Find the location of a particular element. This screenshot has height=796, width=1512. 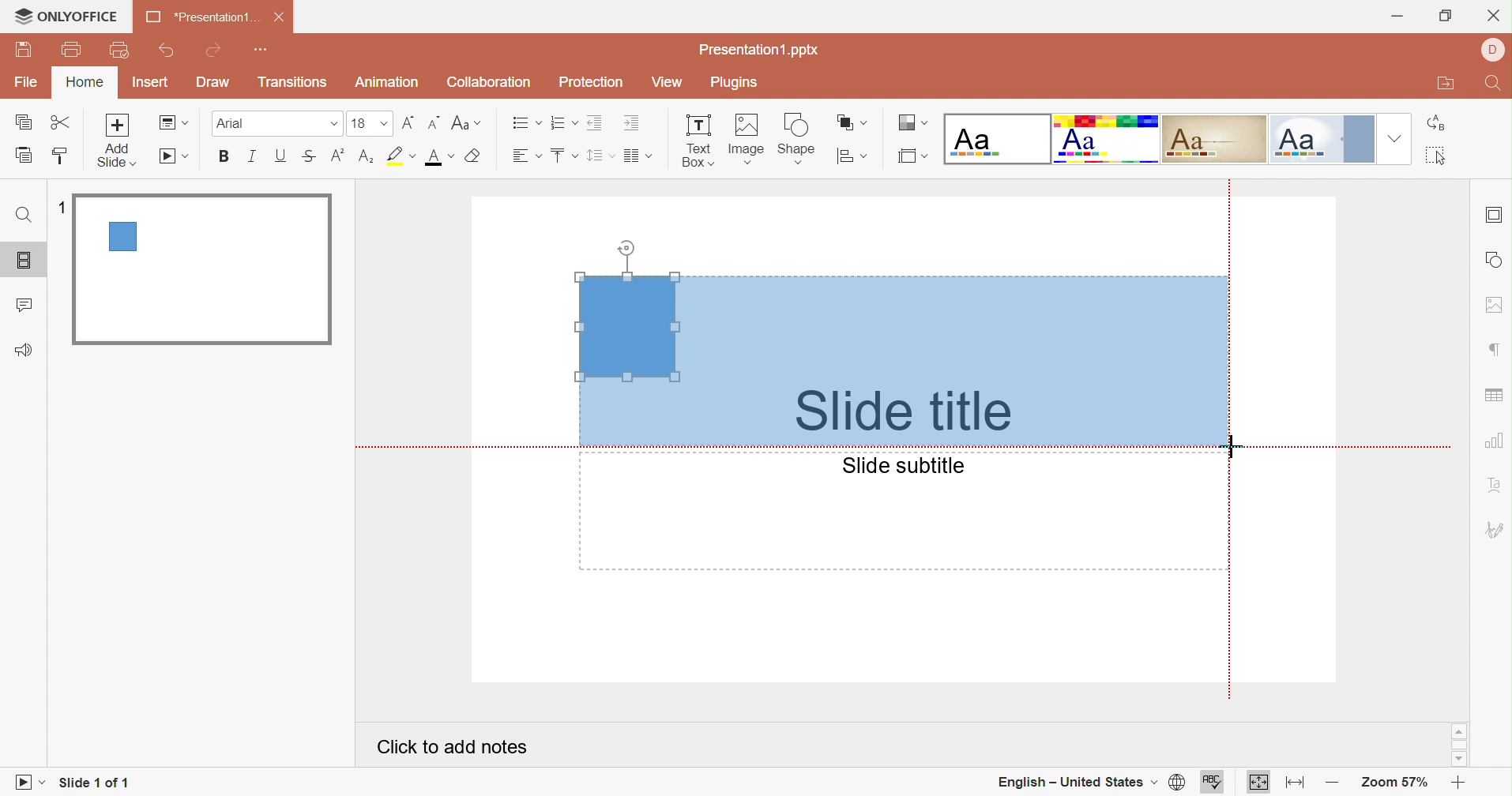

Clear style is located at coordinates (476, 157).